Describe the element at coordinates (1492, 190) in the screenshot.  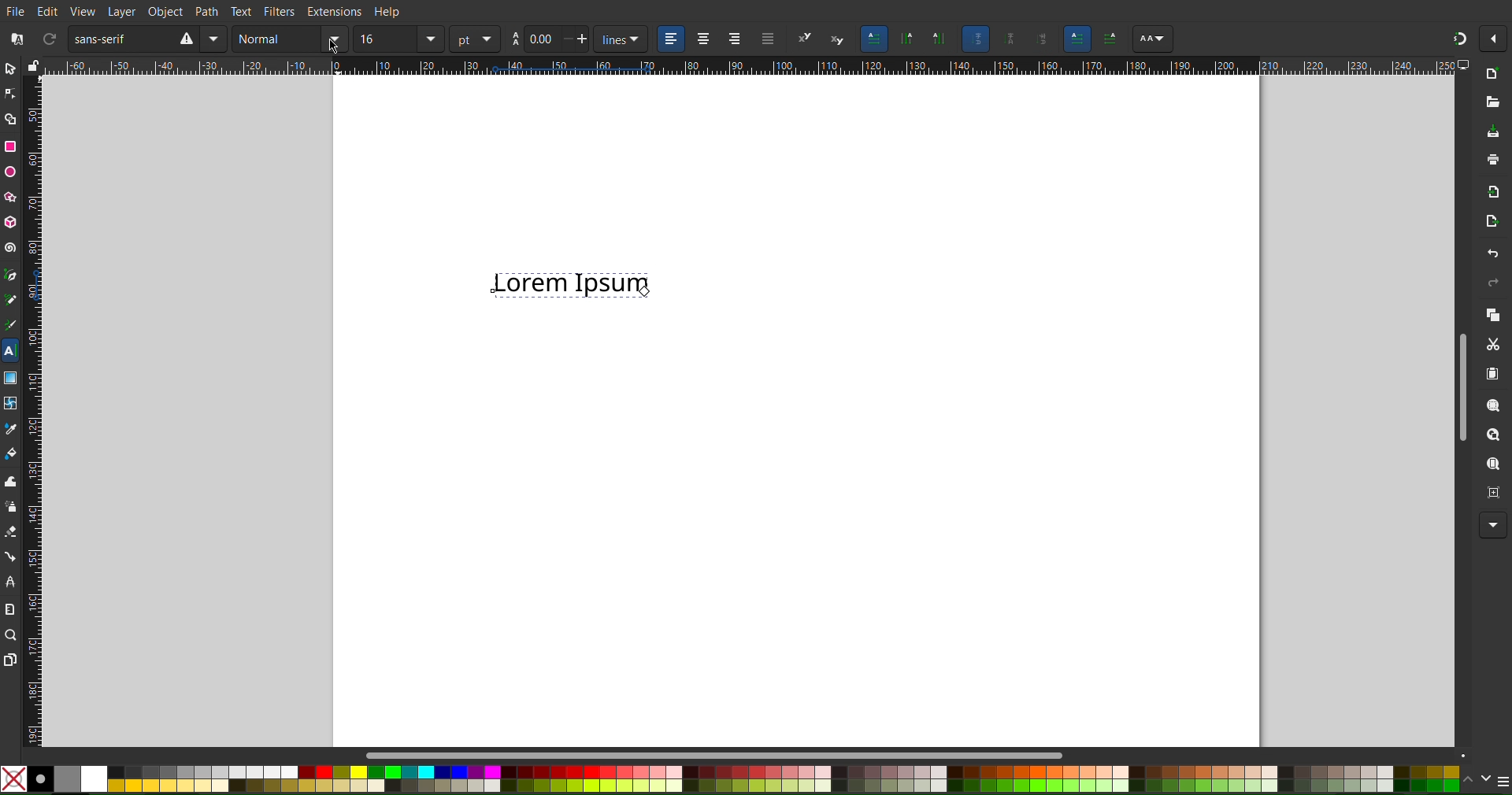
I see `Import BitMap` at that location.